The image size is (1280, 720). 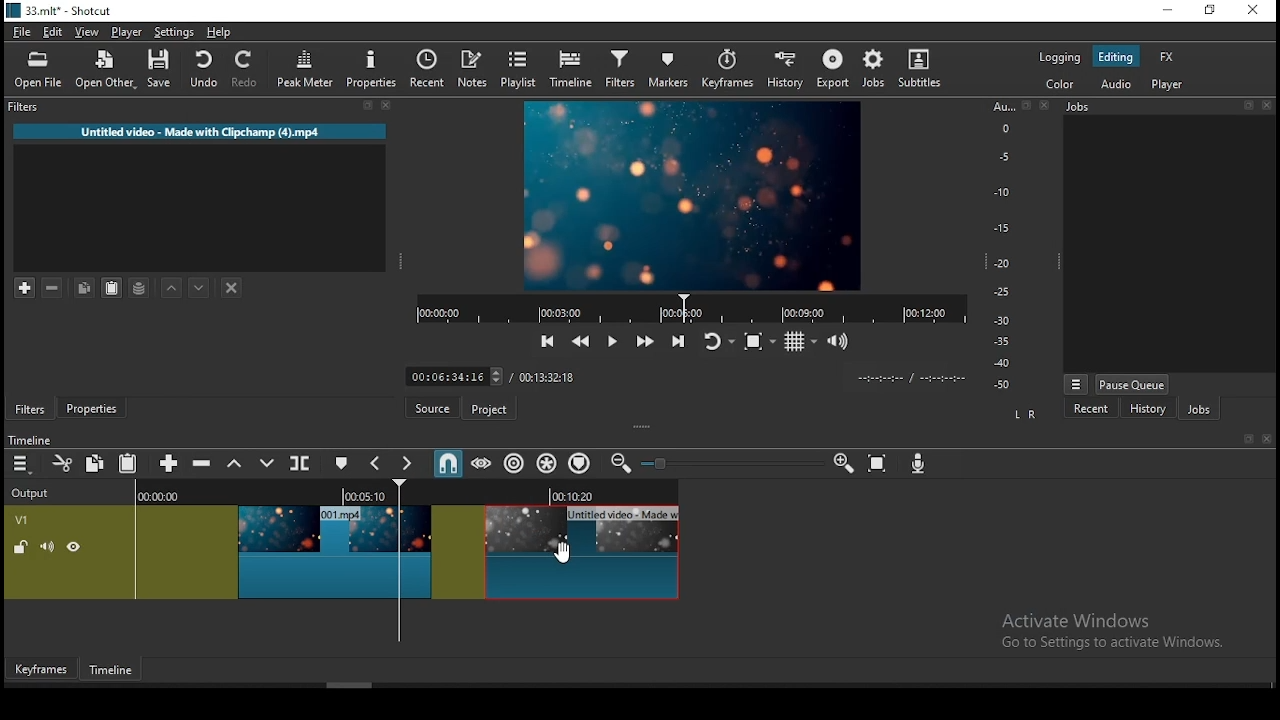 What do you see at coordinates (54, 34) in the screenshot?
I see `edit` at bounding box center [54, 34].